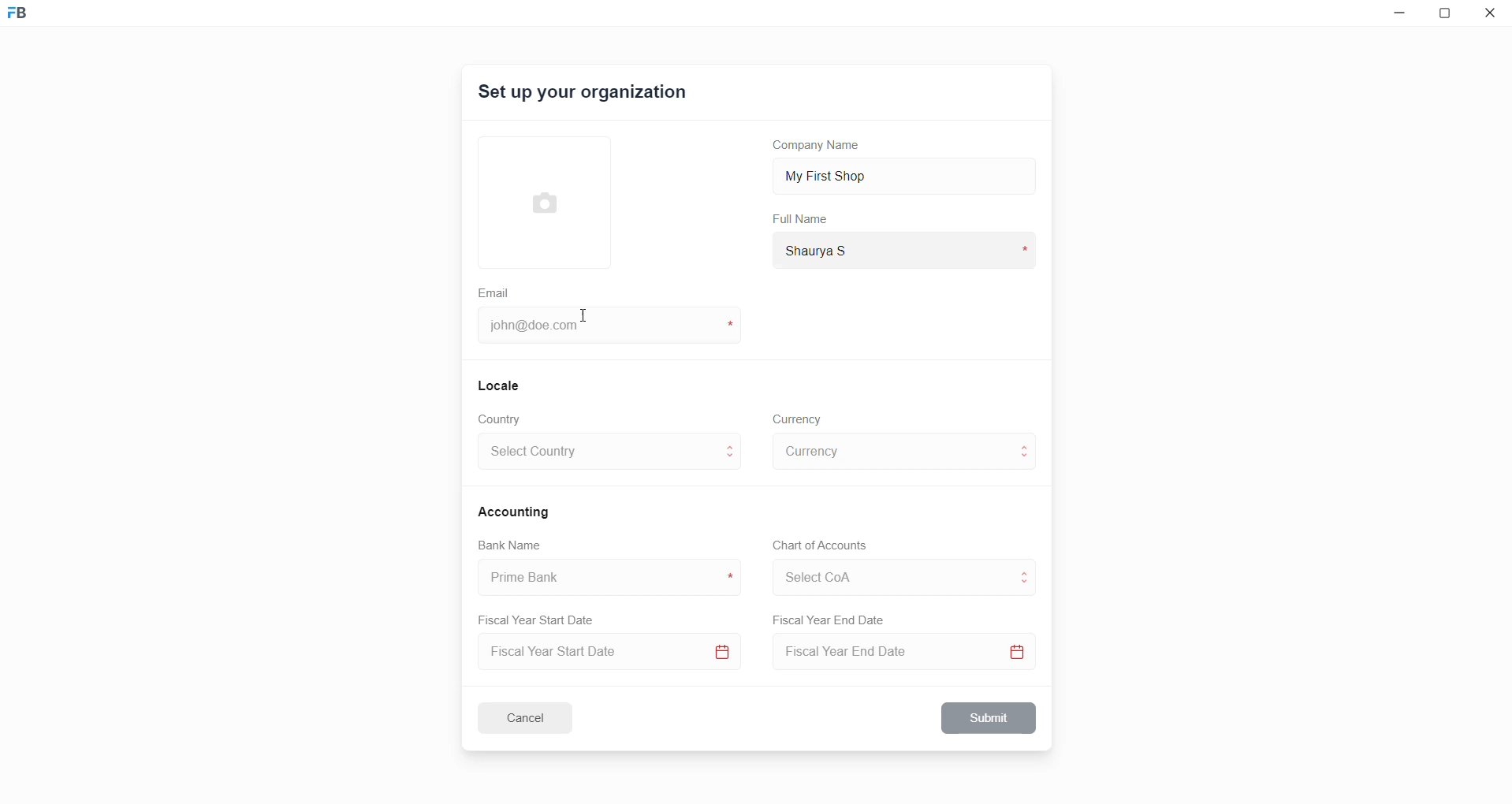  What do you see at coordinates (496, 291) in the screenshot?
I see `Email` at bounding box center [496, 291].